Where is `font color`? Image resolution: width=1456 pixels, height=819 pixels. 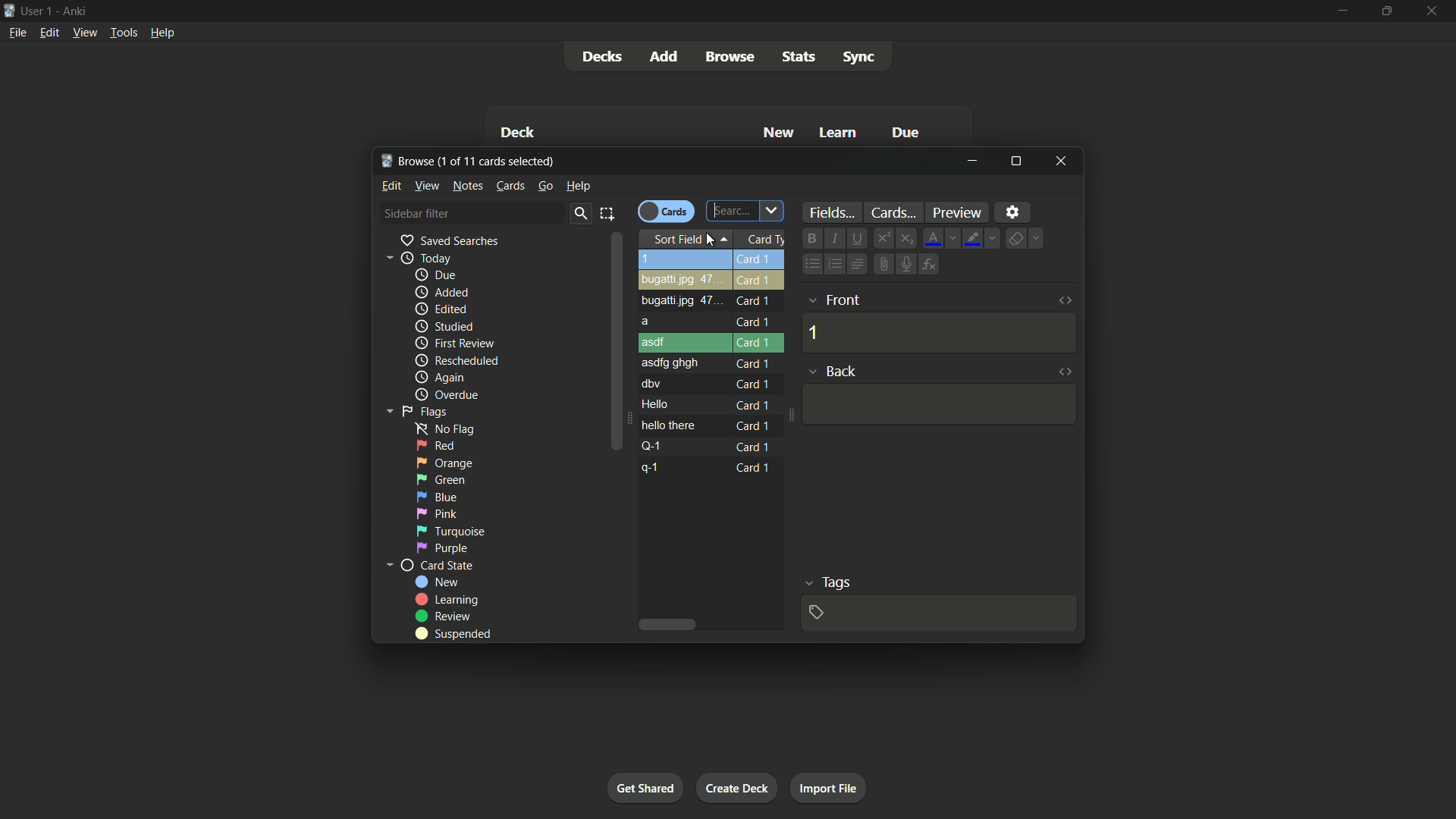 font color is located at coordinates (934, 238).